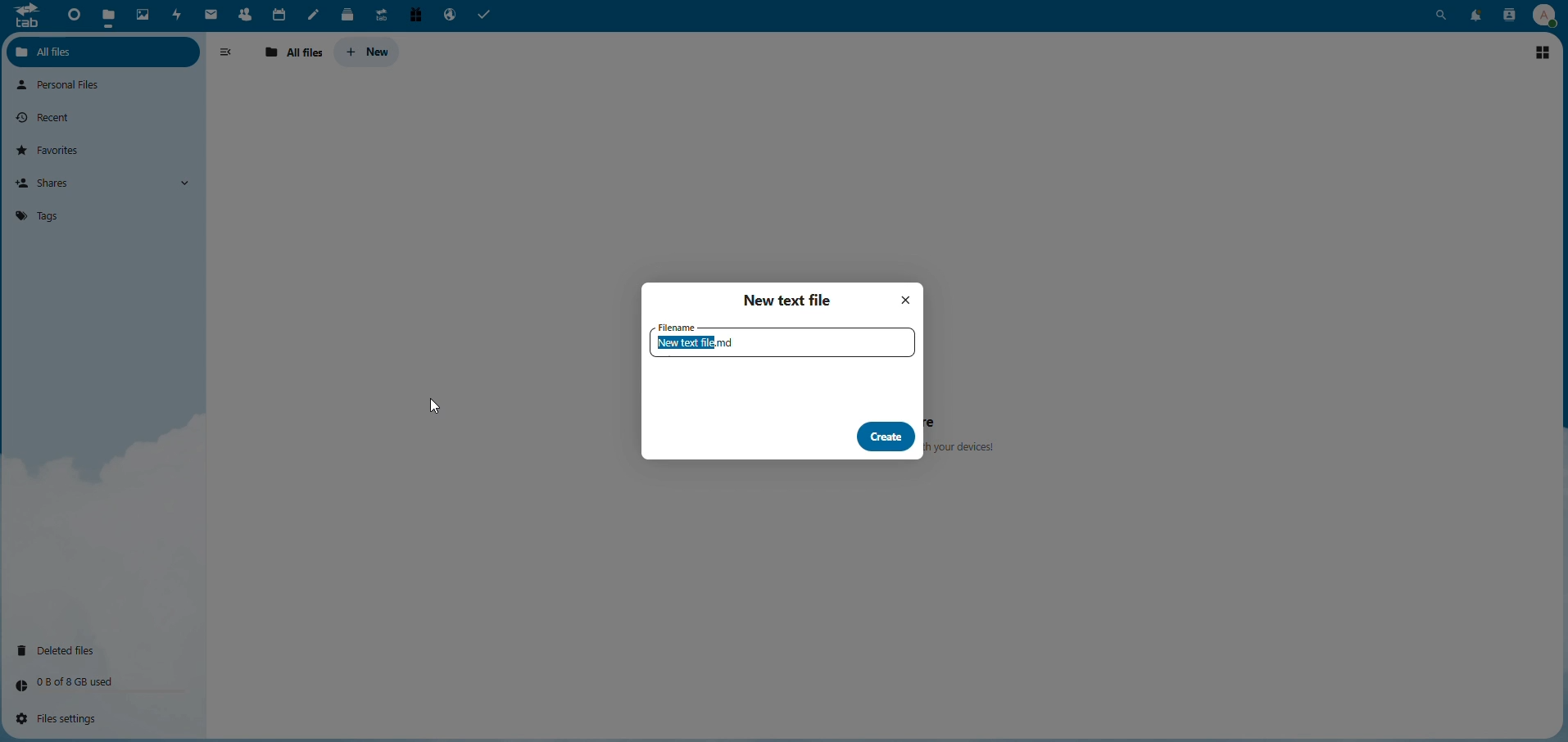  I want to click on Storage of gb used, so click(79, 681).